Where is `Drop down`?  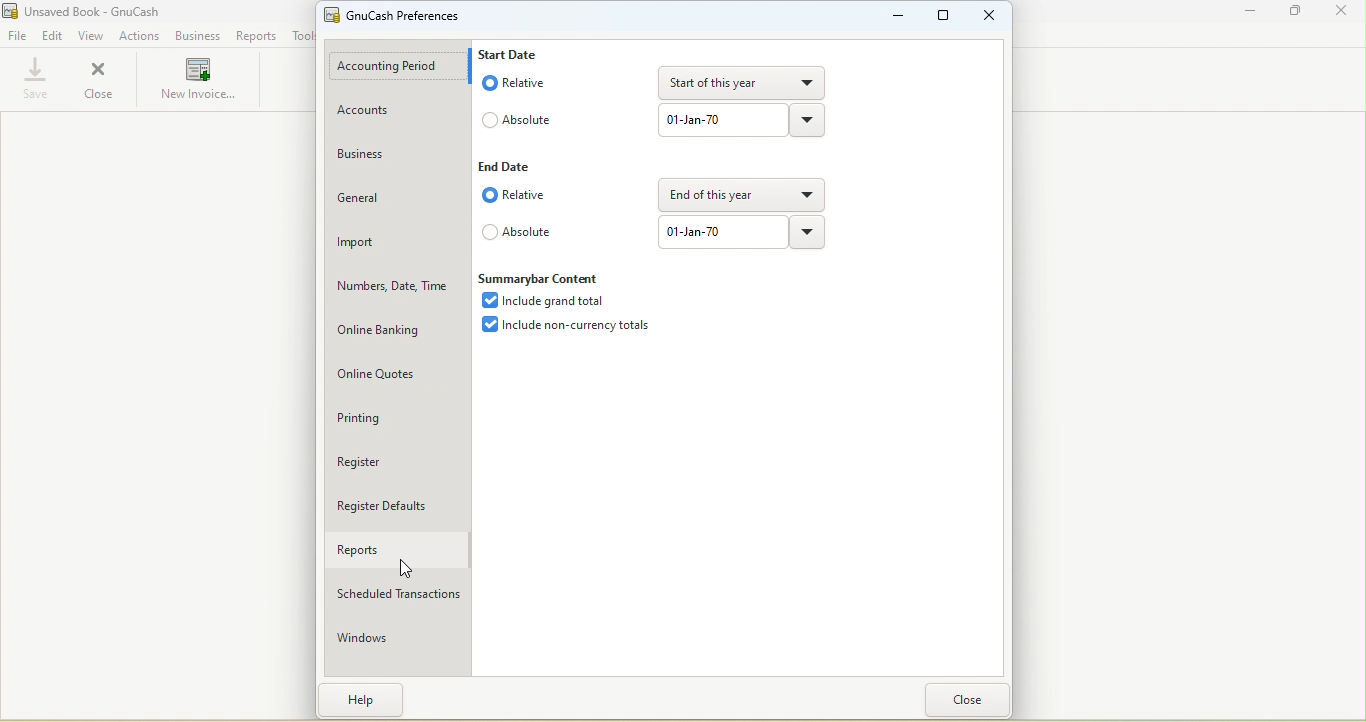
Drop down is located at coordinates (807, 233).